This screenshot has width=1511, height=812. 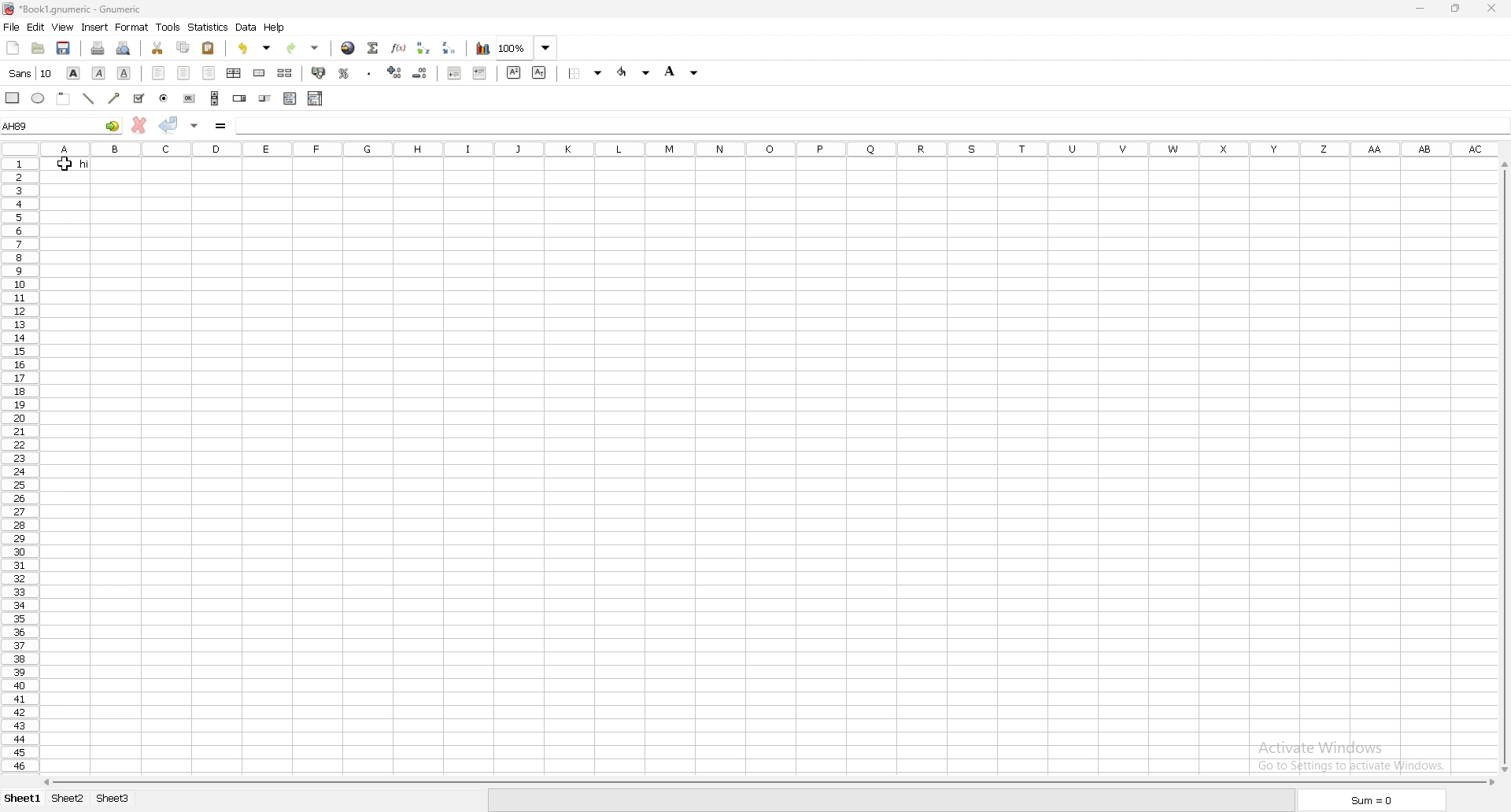 I want to click on new, so click(x=12, y=47).